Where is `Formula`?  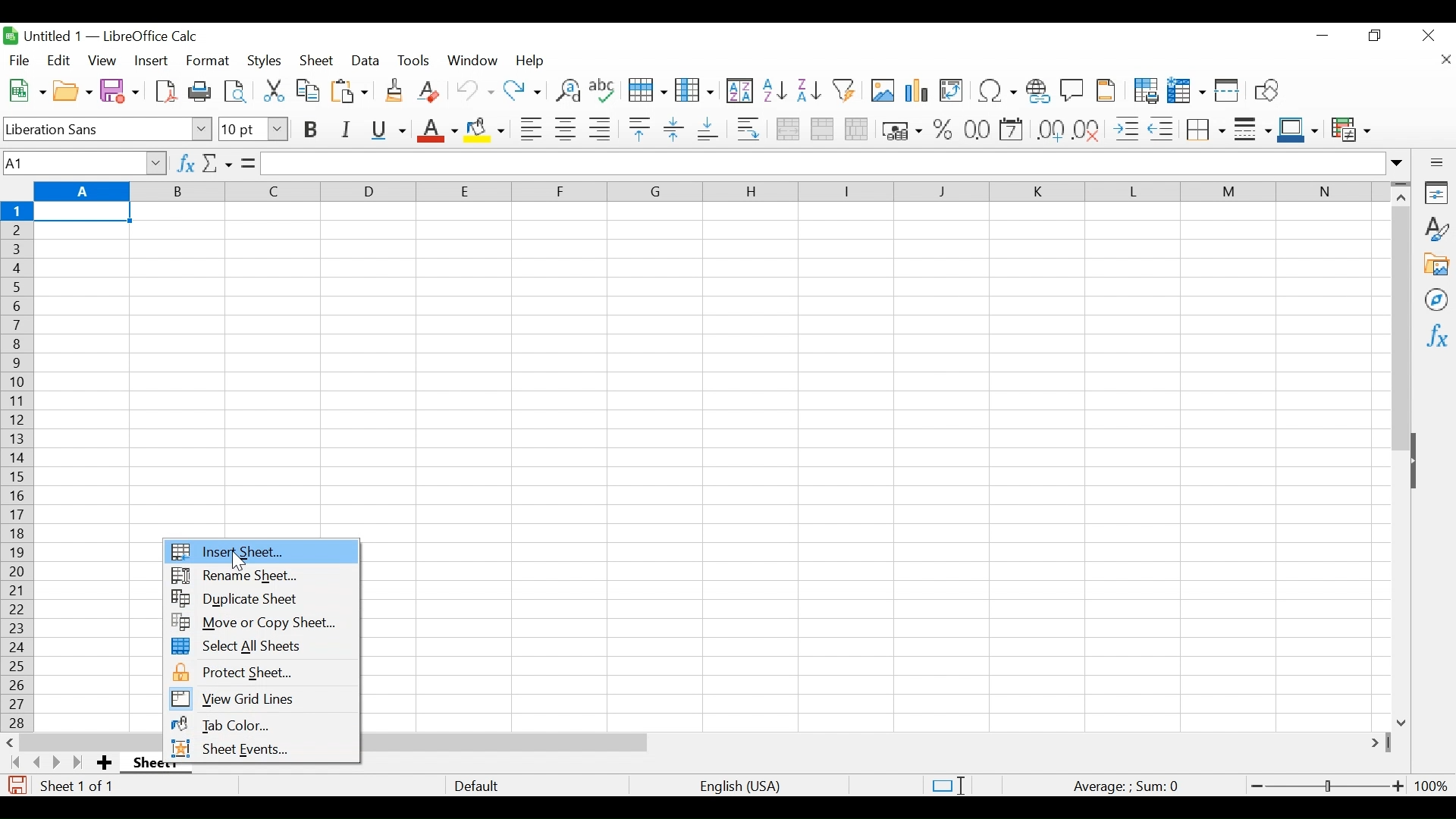 Formula is located at coordinates (248, 162).